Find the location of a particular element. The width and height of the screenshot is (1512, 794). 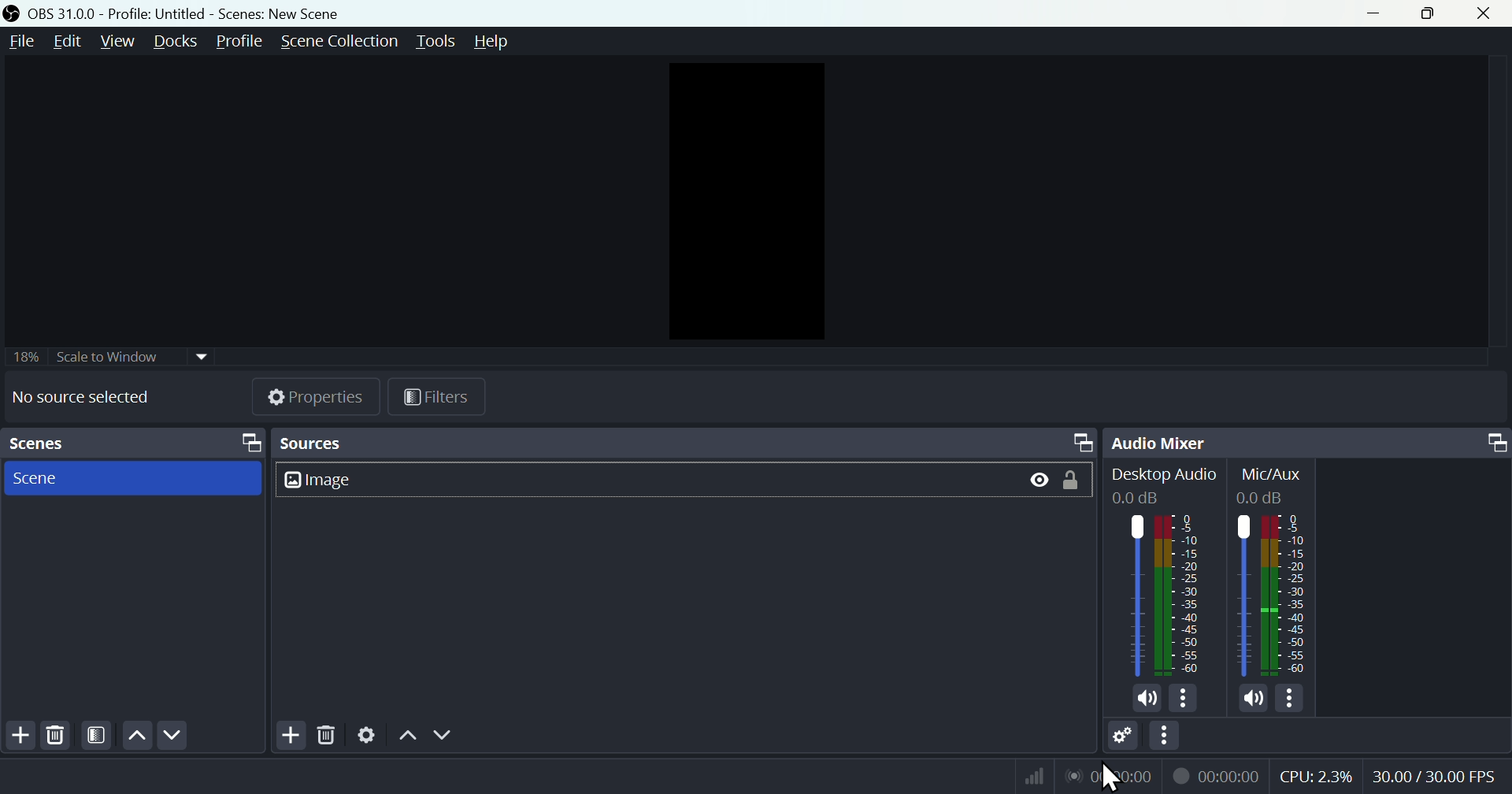

Up is located at coordinates (409, 733).